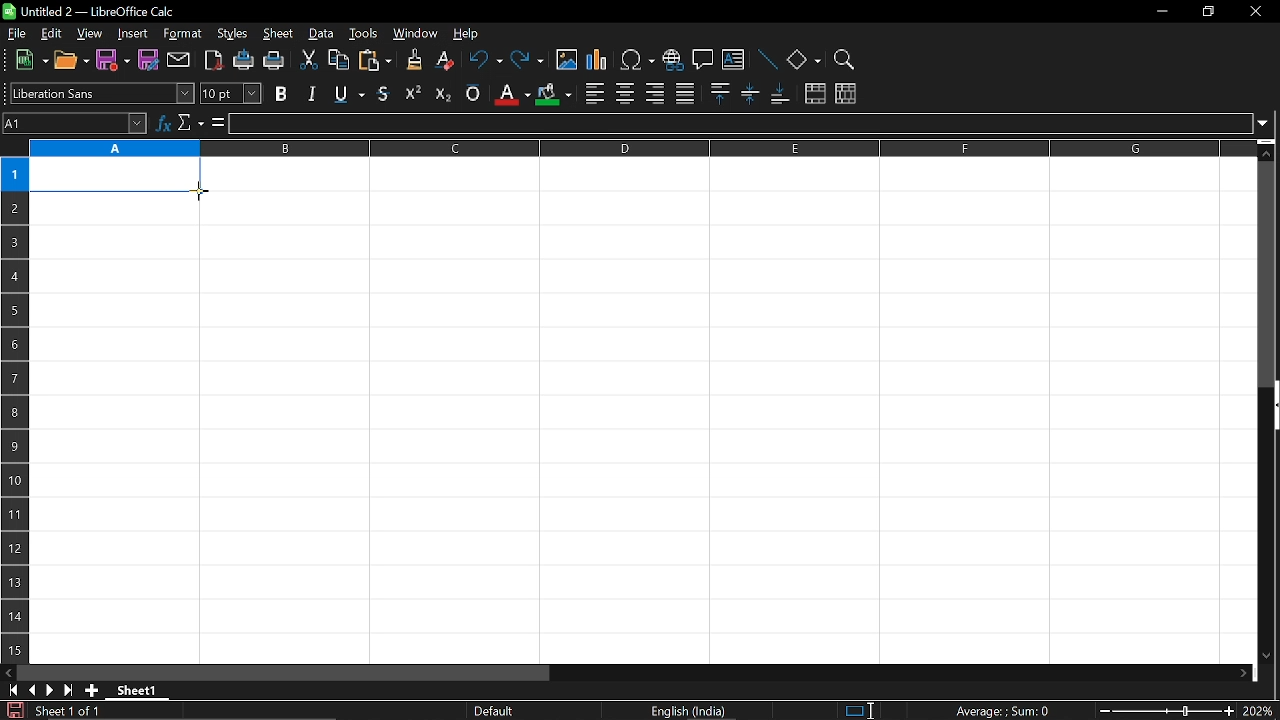 The width and height of the screenshot is (1280, 720). Describe the element at coordinates (27, 61) in the screenshot. I see `new` at that location.